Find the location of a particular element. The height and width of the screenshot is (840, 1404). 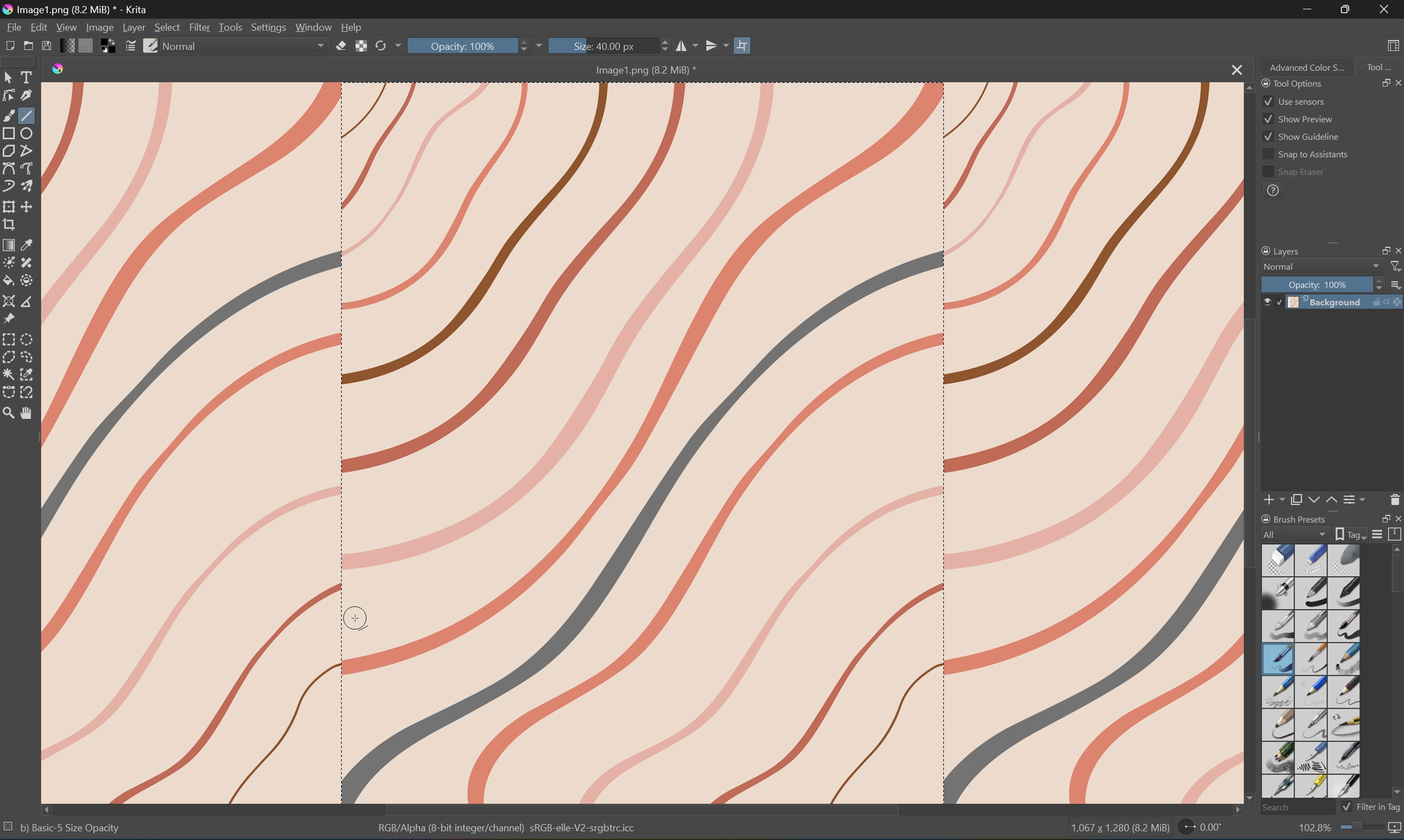

Freehand selection is located at coordinates (29, 357).